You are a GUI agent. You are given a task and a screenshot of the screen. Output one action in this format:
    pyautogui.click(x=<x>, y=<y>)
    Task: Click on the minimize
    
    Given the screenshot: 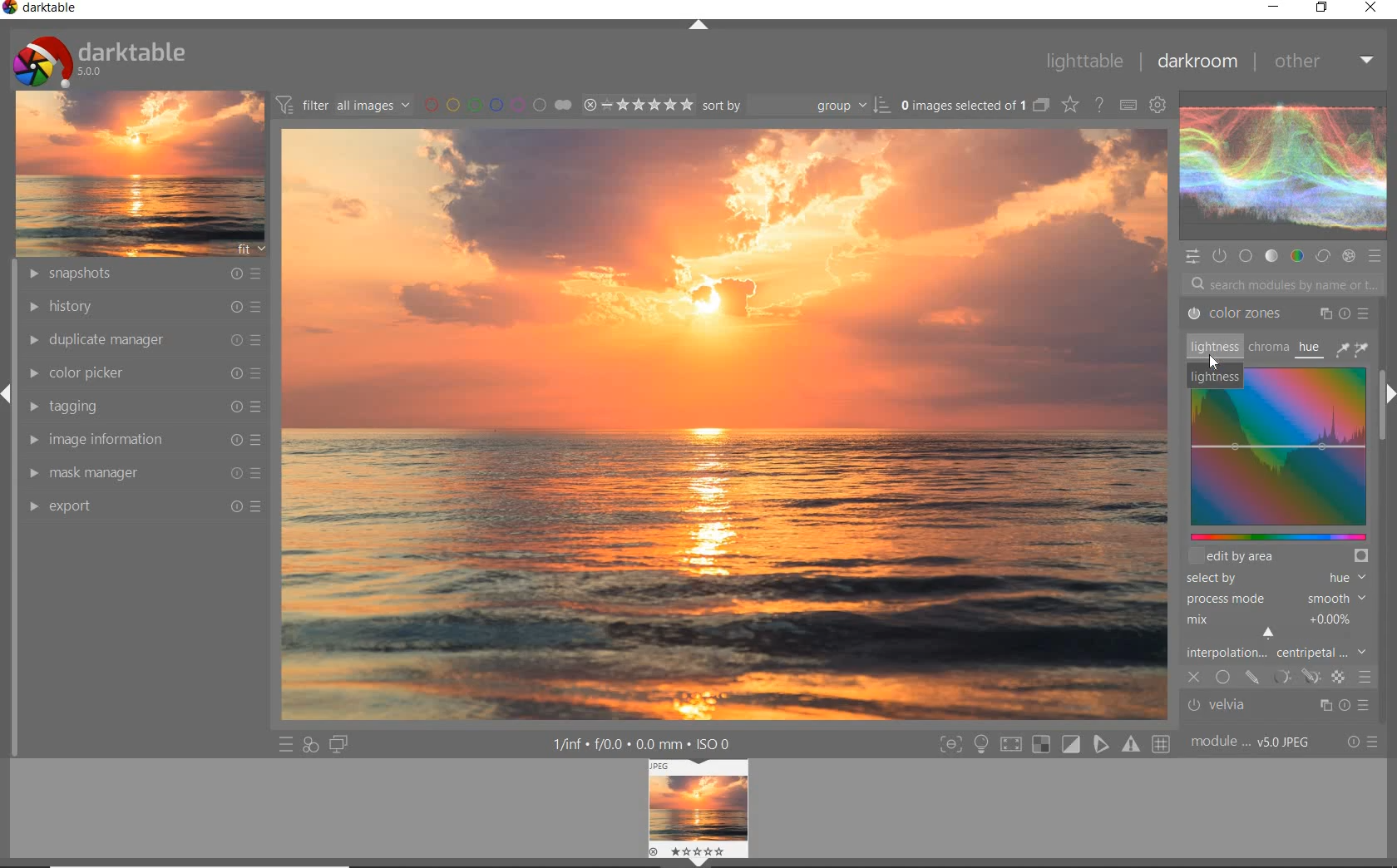 What is the action you would take?
    pyautogui.click(x=1276, y=6)
    